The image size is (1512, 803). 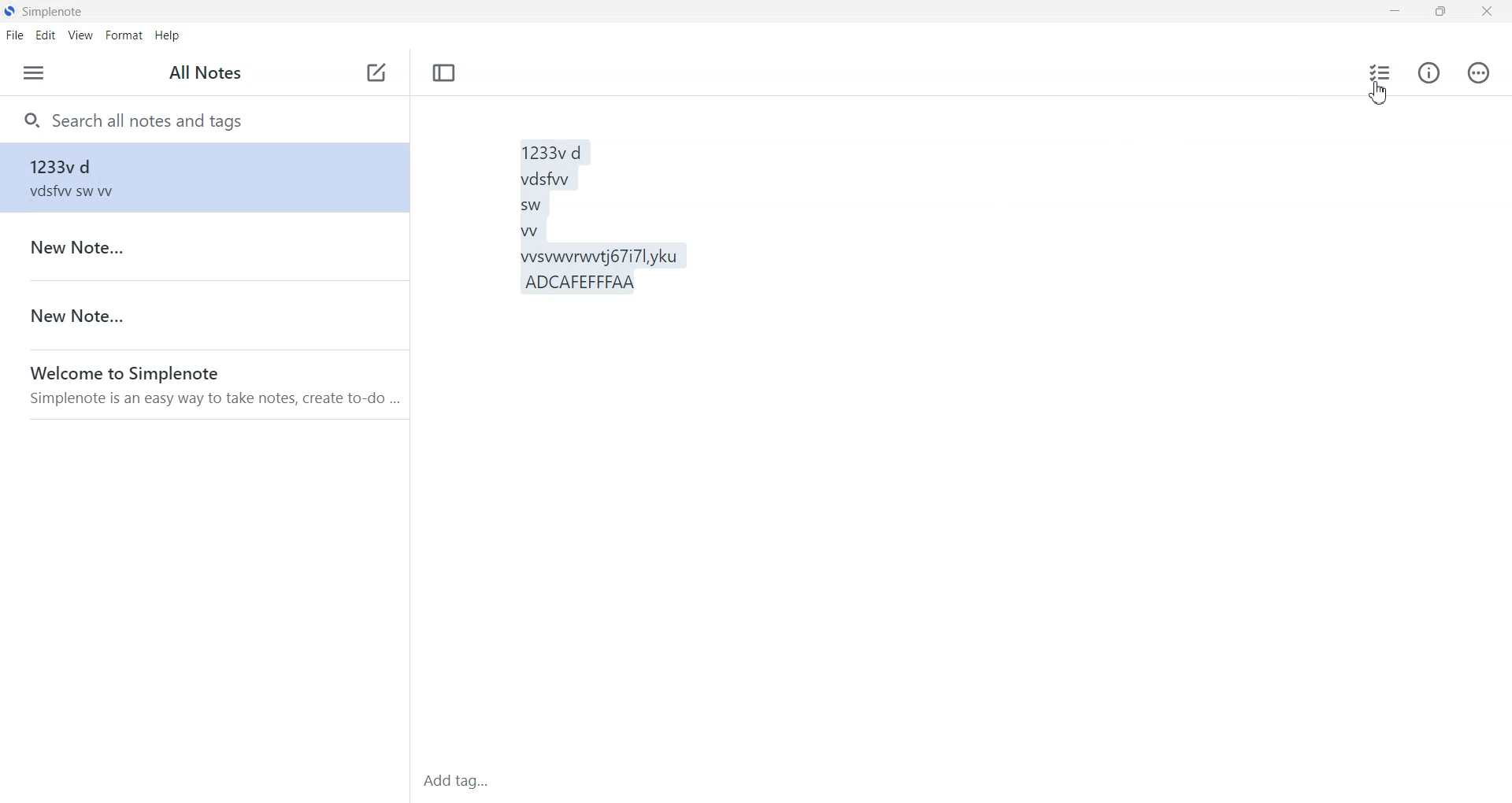 I want to click on New Note, so click(x=204, y=315).